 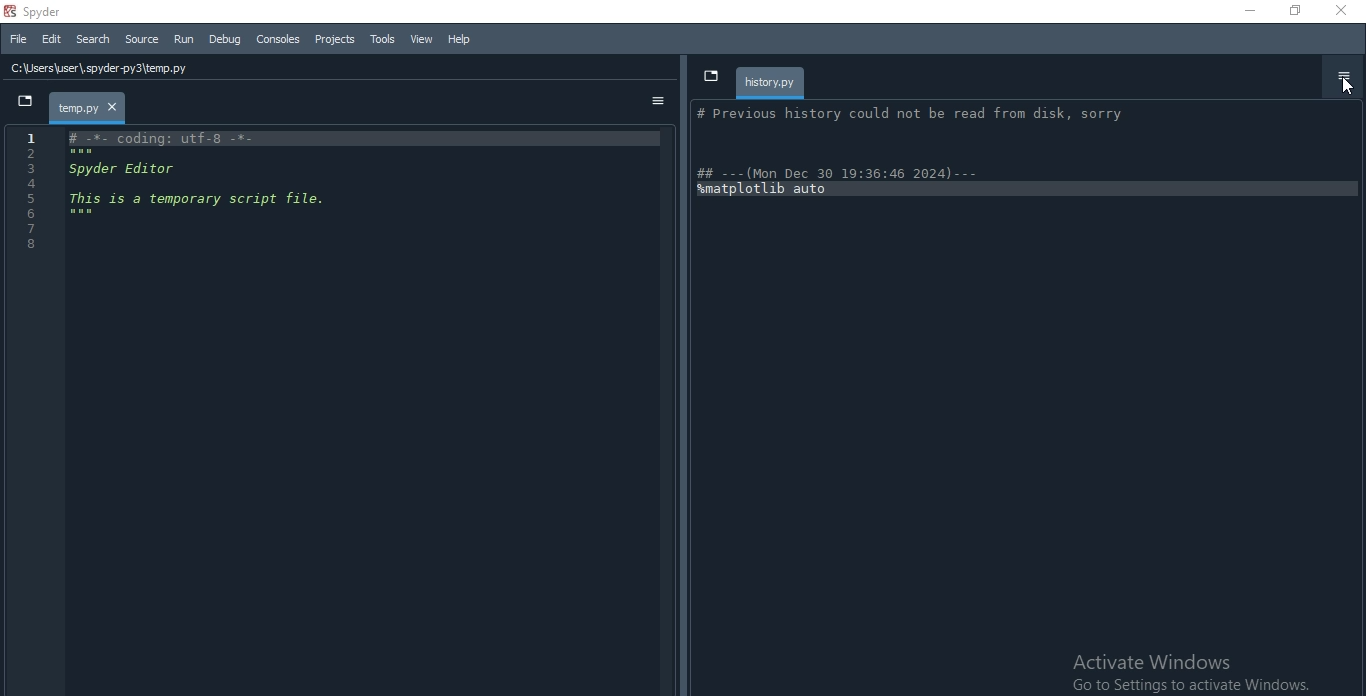 What do you see at coordinates (460, 39) in the screenshot?
I see `Help` at bounding box center [460, 39].